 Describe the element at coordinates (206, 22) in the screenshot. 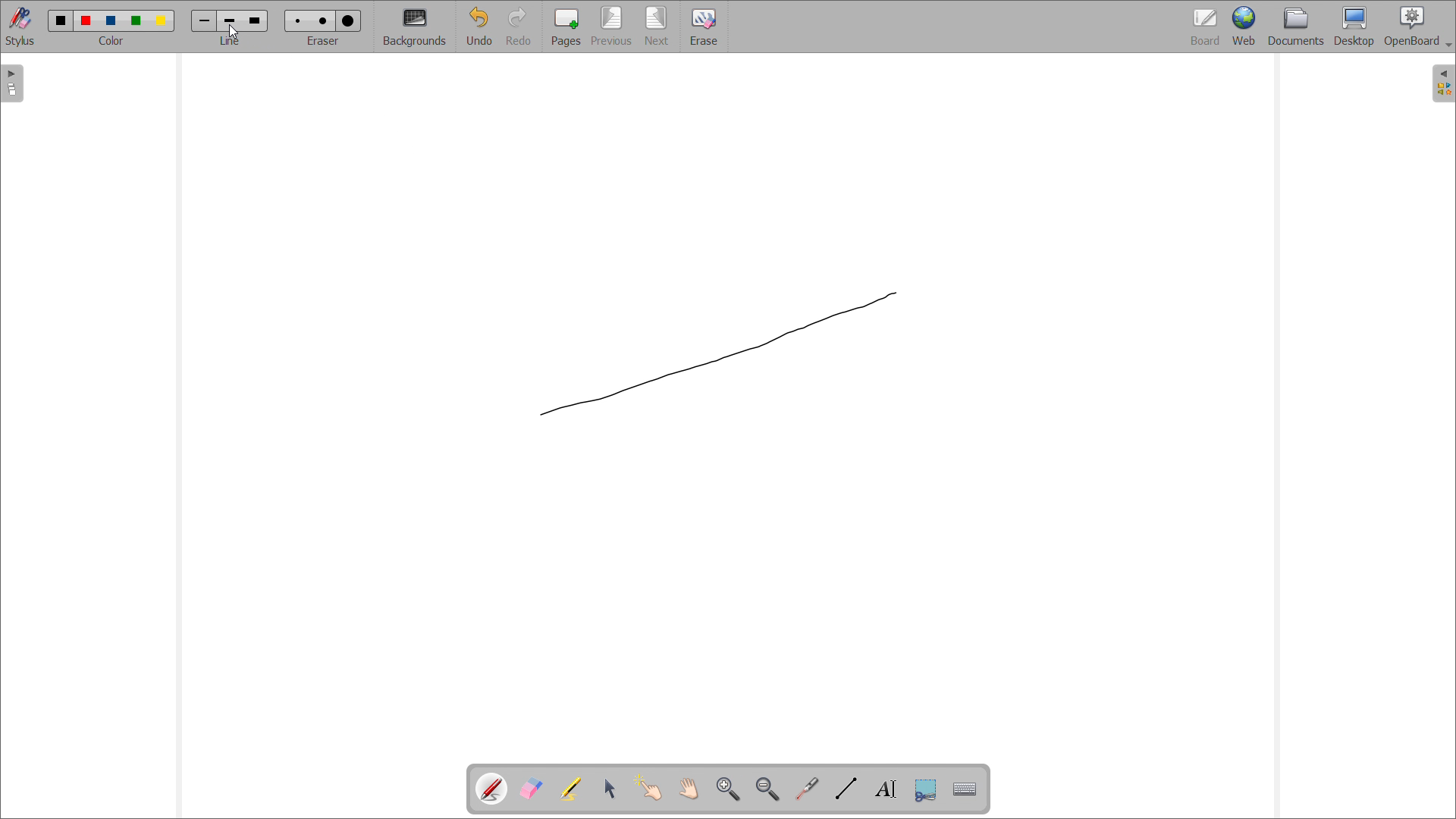

I see `line width size` at that location.